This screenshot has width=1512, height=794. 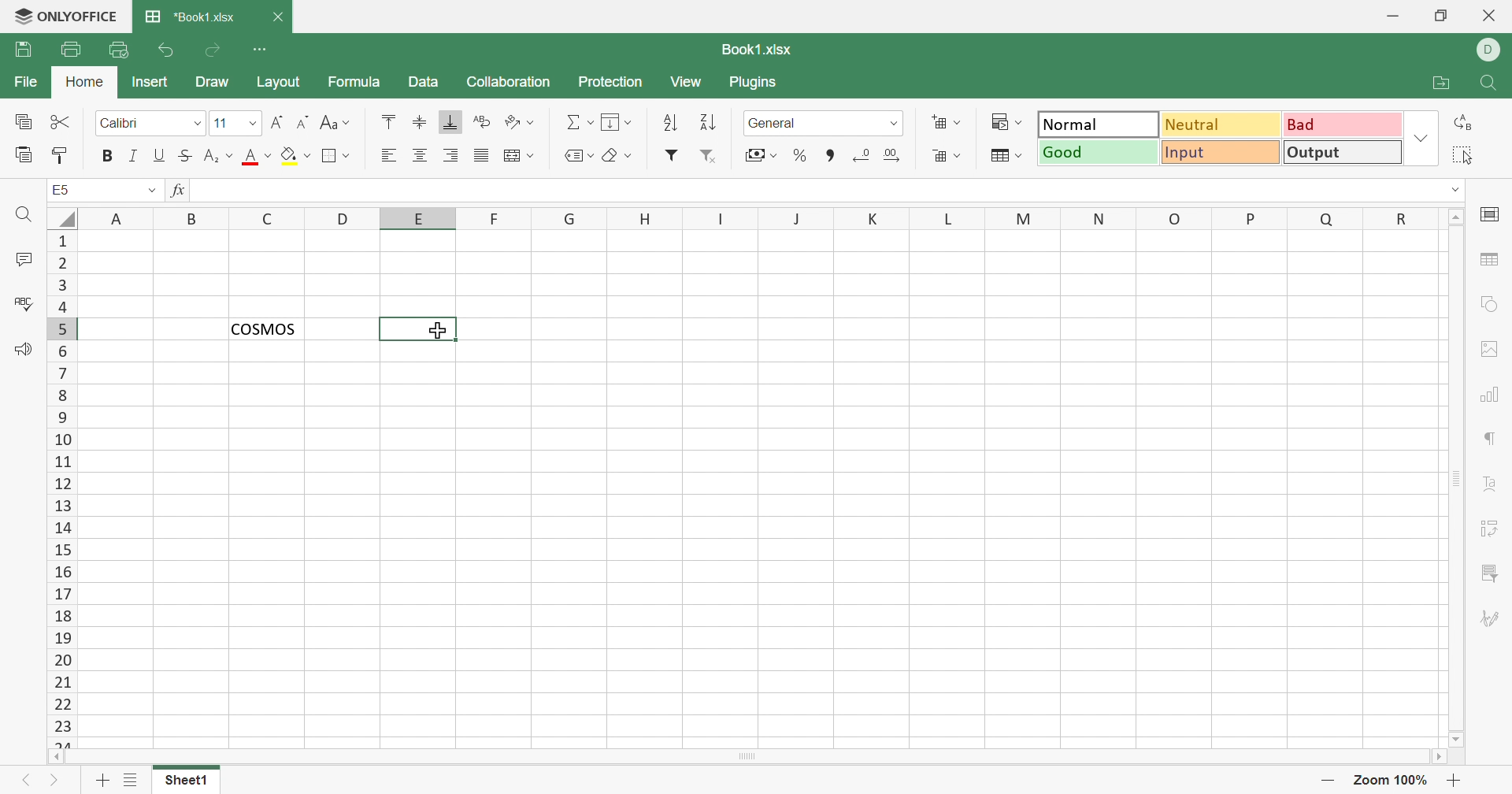 What do you see at coordinates (619, 157) in the screenshot?
I see `Clear` at bounding box center [619, 157].